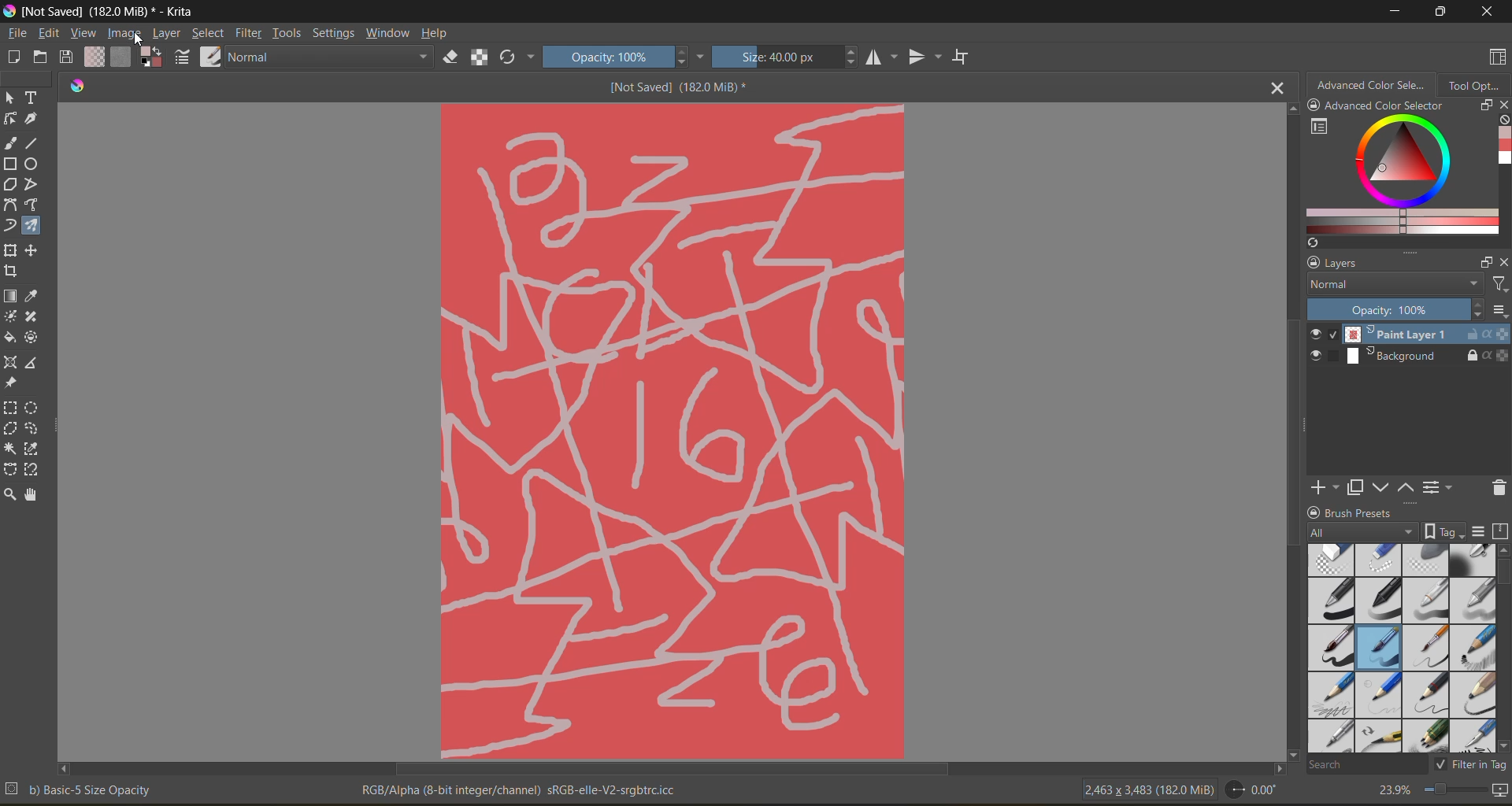 This screenshot has width=1512, height=806. Describe the element at coordinates (1395, 789) in the screenshot. I see `zoom factor` at that location.